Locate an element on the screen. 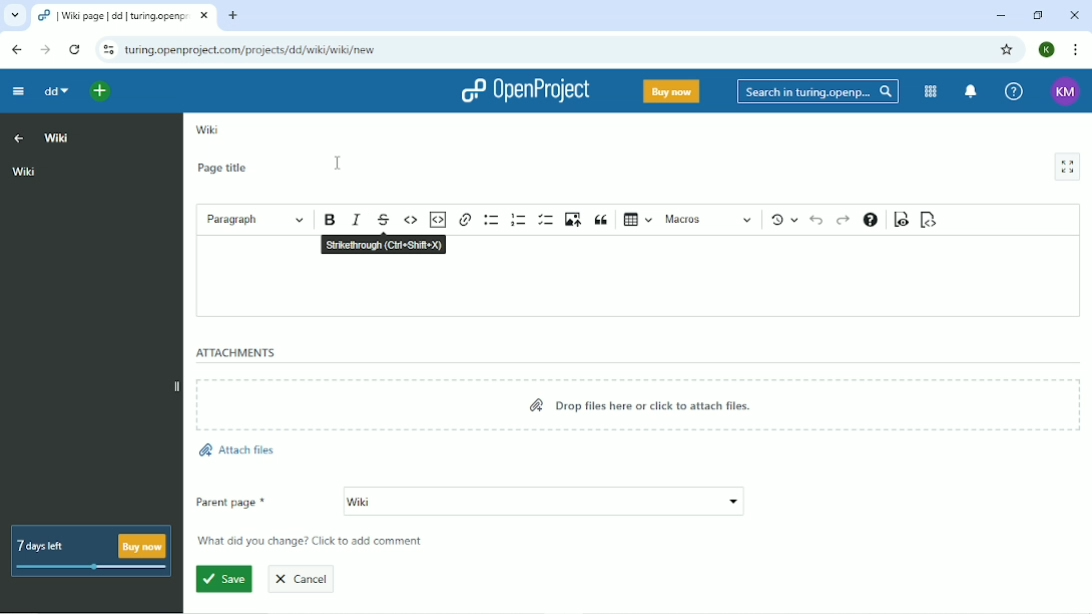 The image size is (1092, 614). Insert table is located at coordinates (638, 221).